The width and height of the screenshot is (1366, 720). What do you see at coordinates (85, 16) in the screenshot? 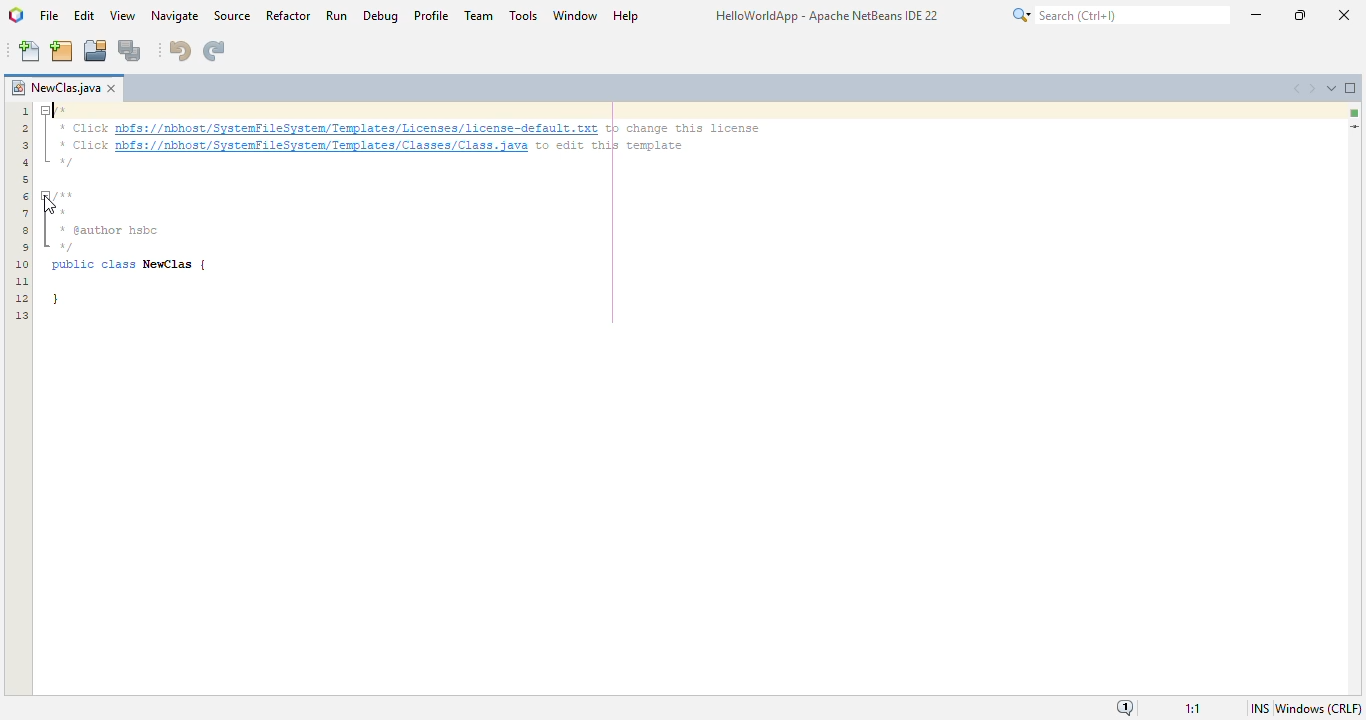
I see `edit` at bounding box center [85, 16].